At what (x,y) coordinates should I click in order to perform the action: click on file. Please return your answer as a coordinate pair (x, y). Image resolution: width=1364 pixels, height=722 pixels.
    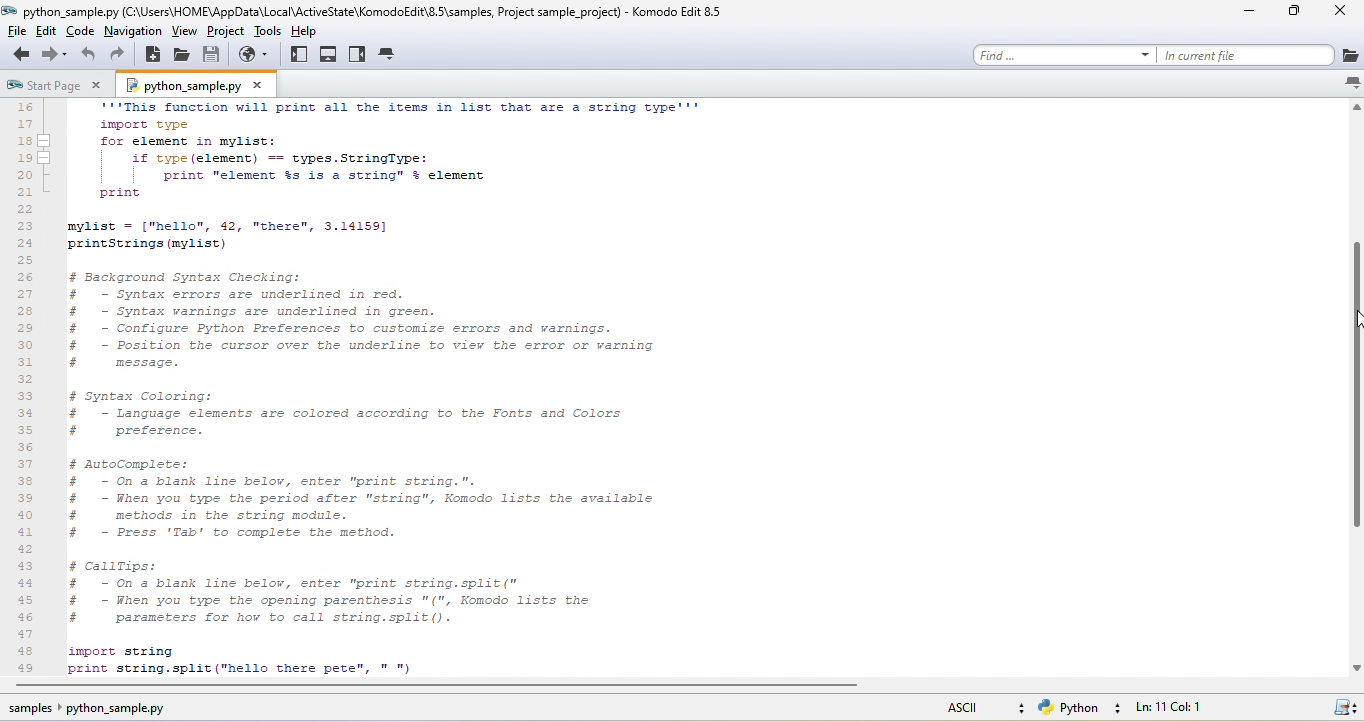
    Looking at the image, I should click on (15, 31).